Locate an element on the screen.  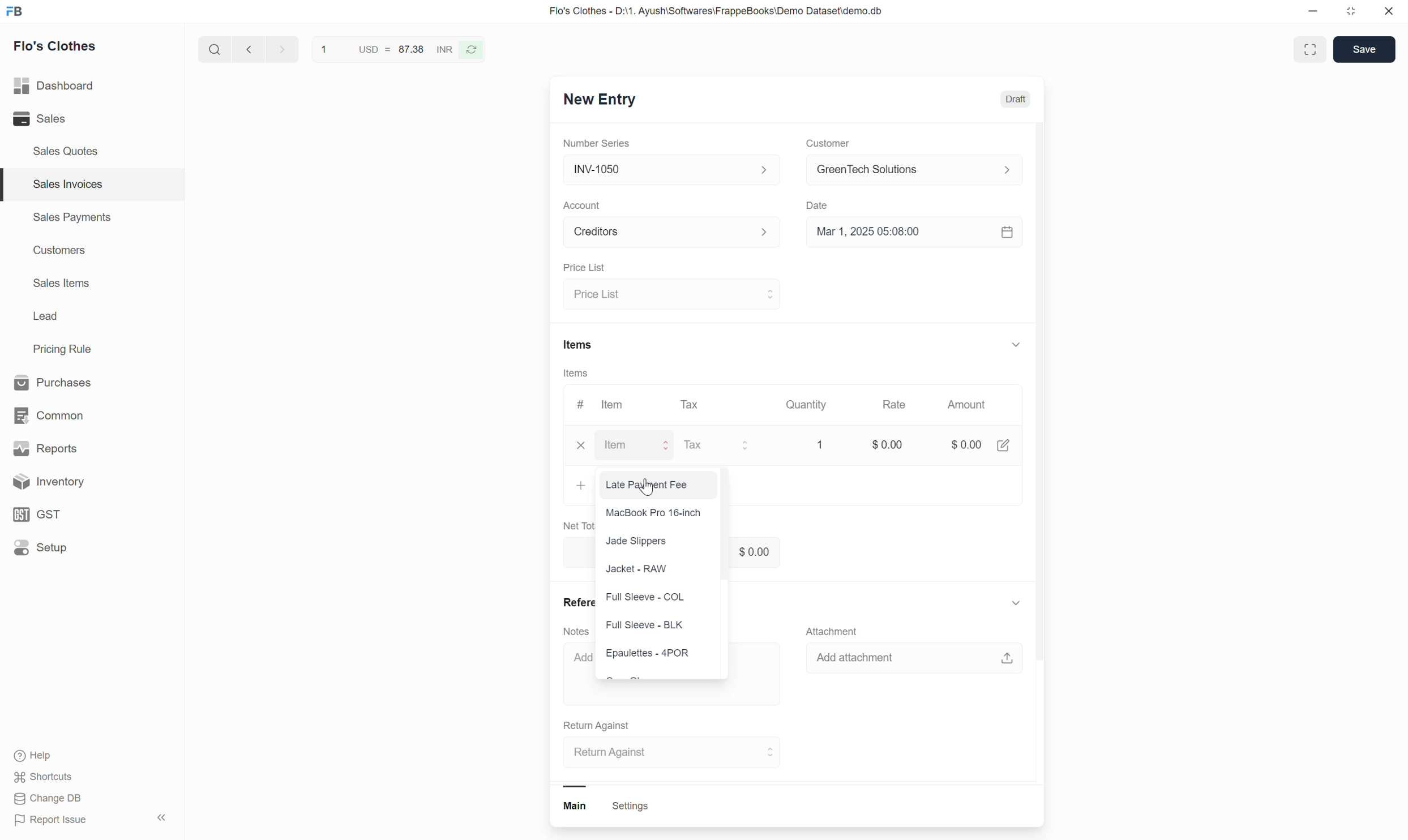
show or hide items is located at coordinates (1016, 342).